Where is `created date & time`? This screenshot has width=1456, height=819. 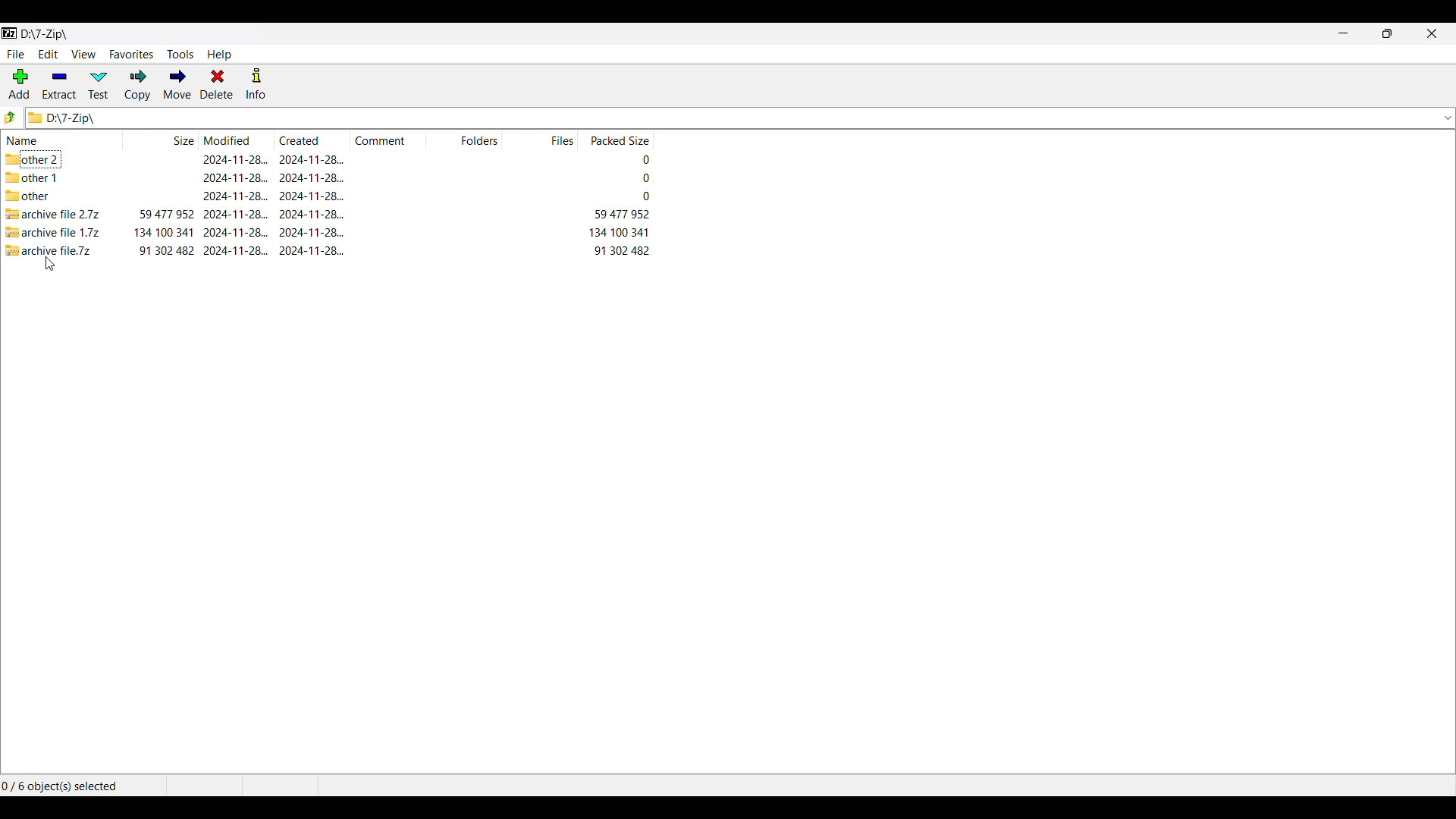 created date & time is located at coordinates (311, 177).